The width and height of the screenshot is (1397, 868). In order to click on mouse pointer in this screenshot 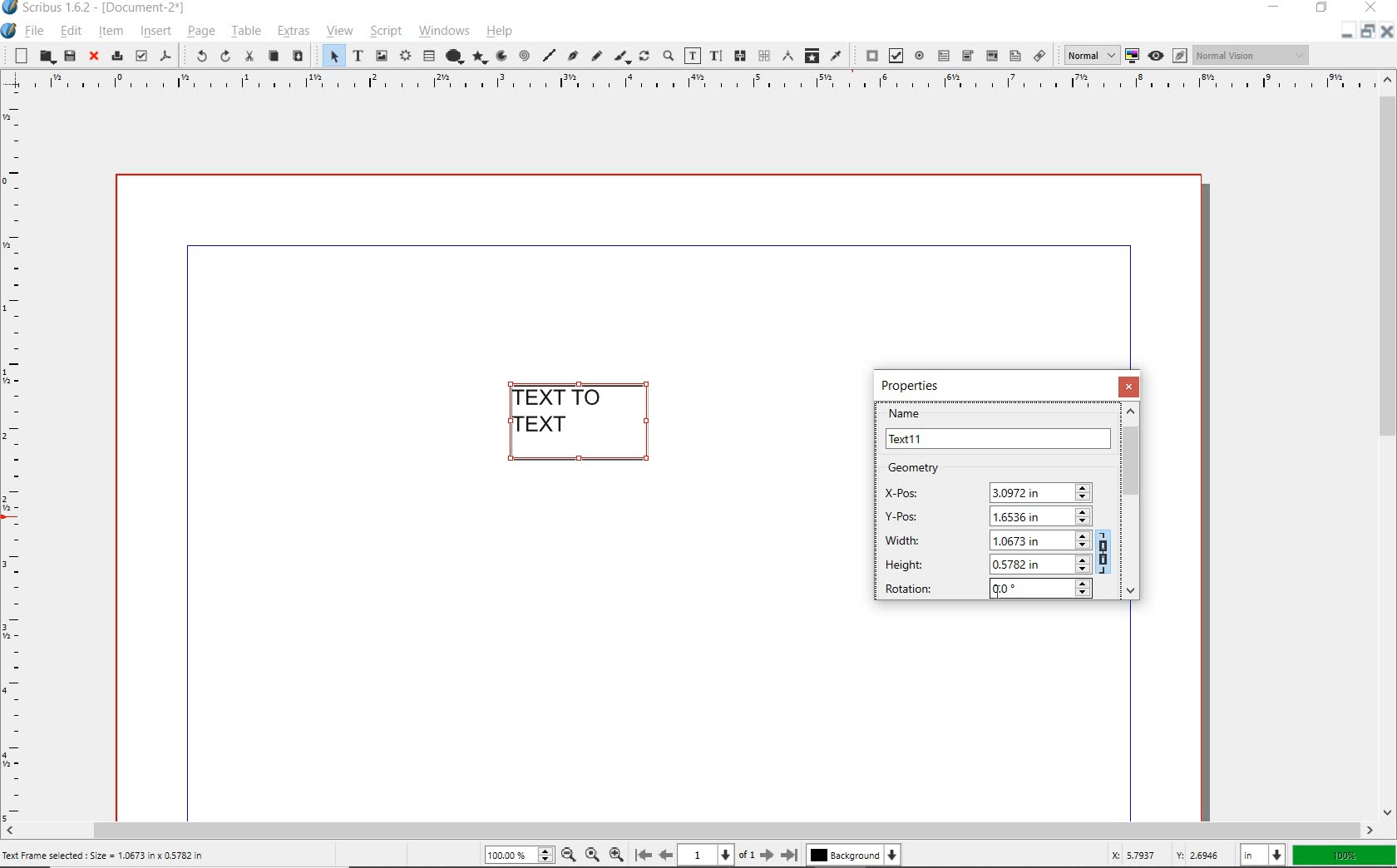, I will do `click(999, 593)`.